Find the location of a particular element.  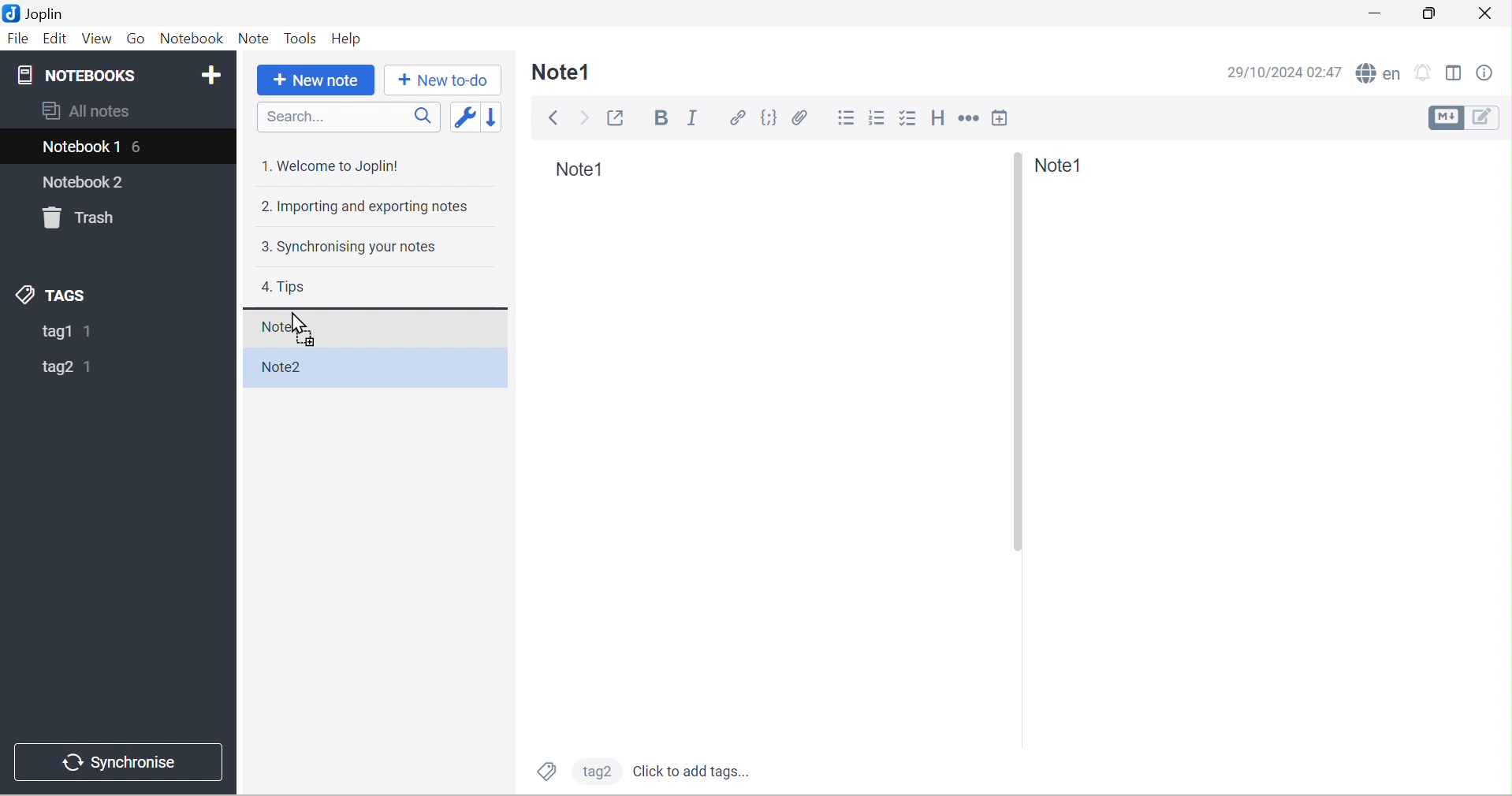

Note is located at coordinates (255, 39).